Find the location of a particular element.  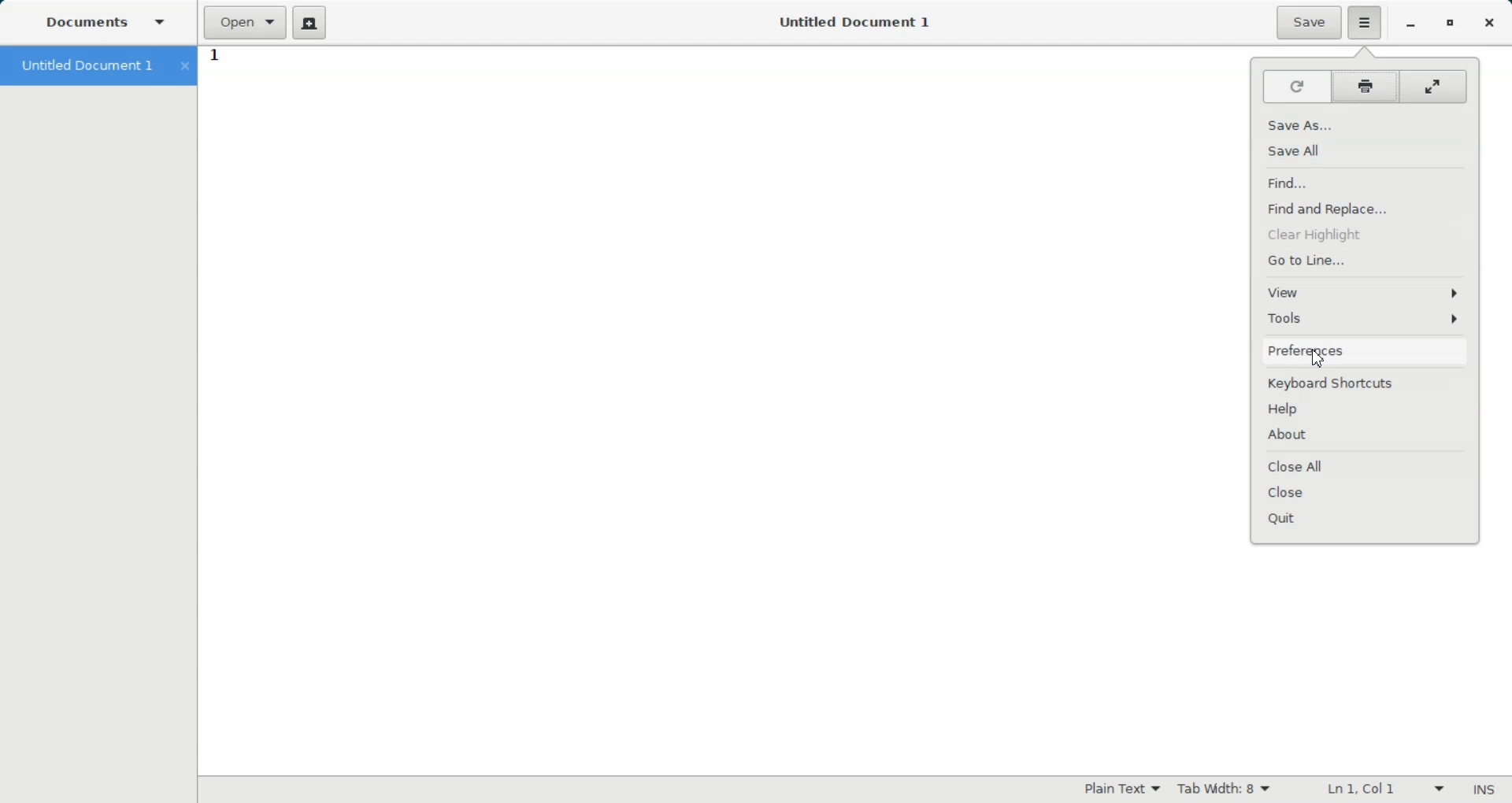

About is located at coordinates (1365, 436).